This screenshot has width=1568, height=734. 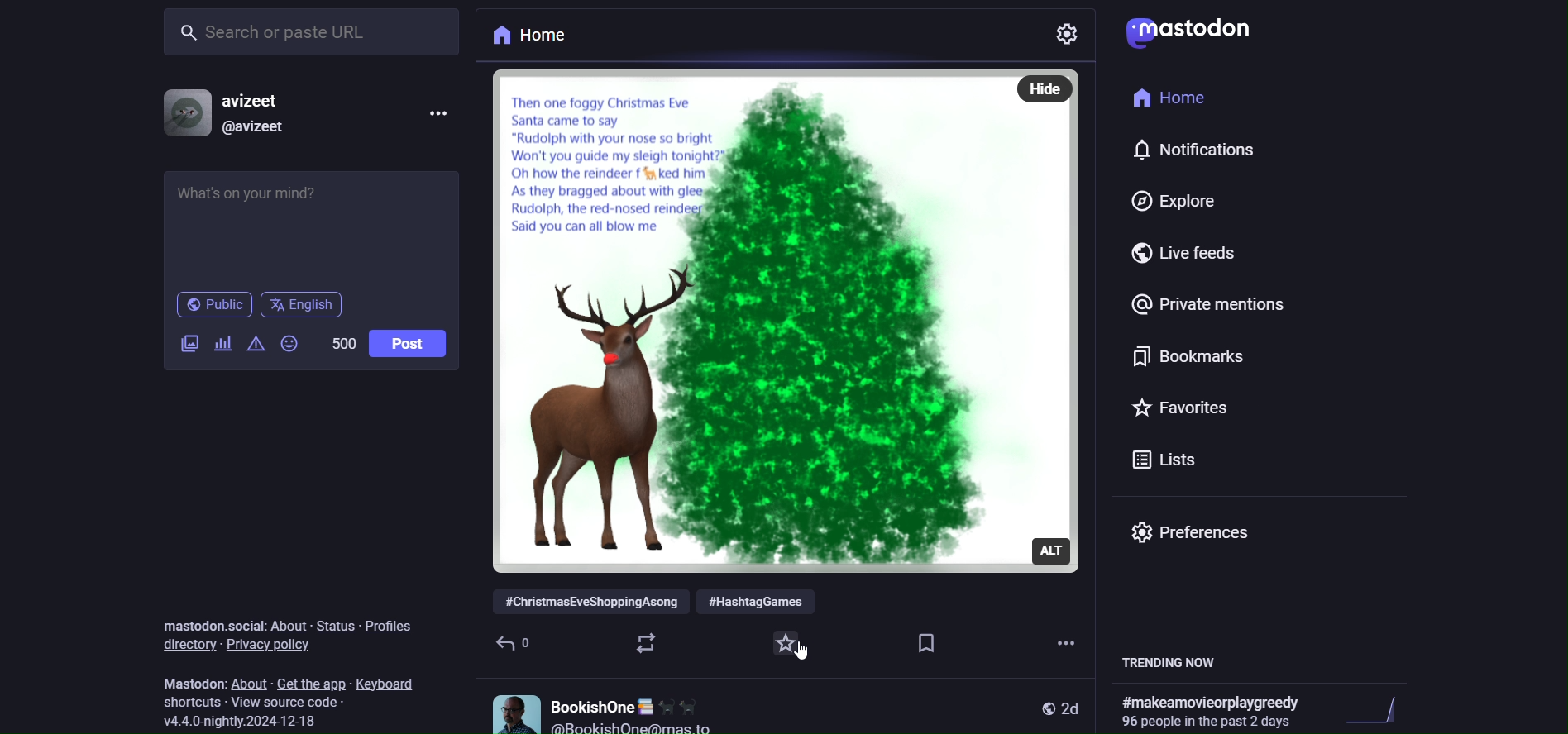 I want to click on cursor, so click(x=813, y=656).